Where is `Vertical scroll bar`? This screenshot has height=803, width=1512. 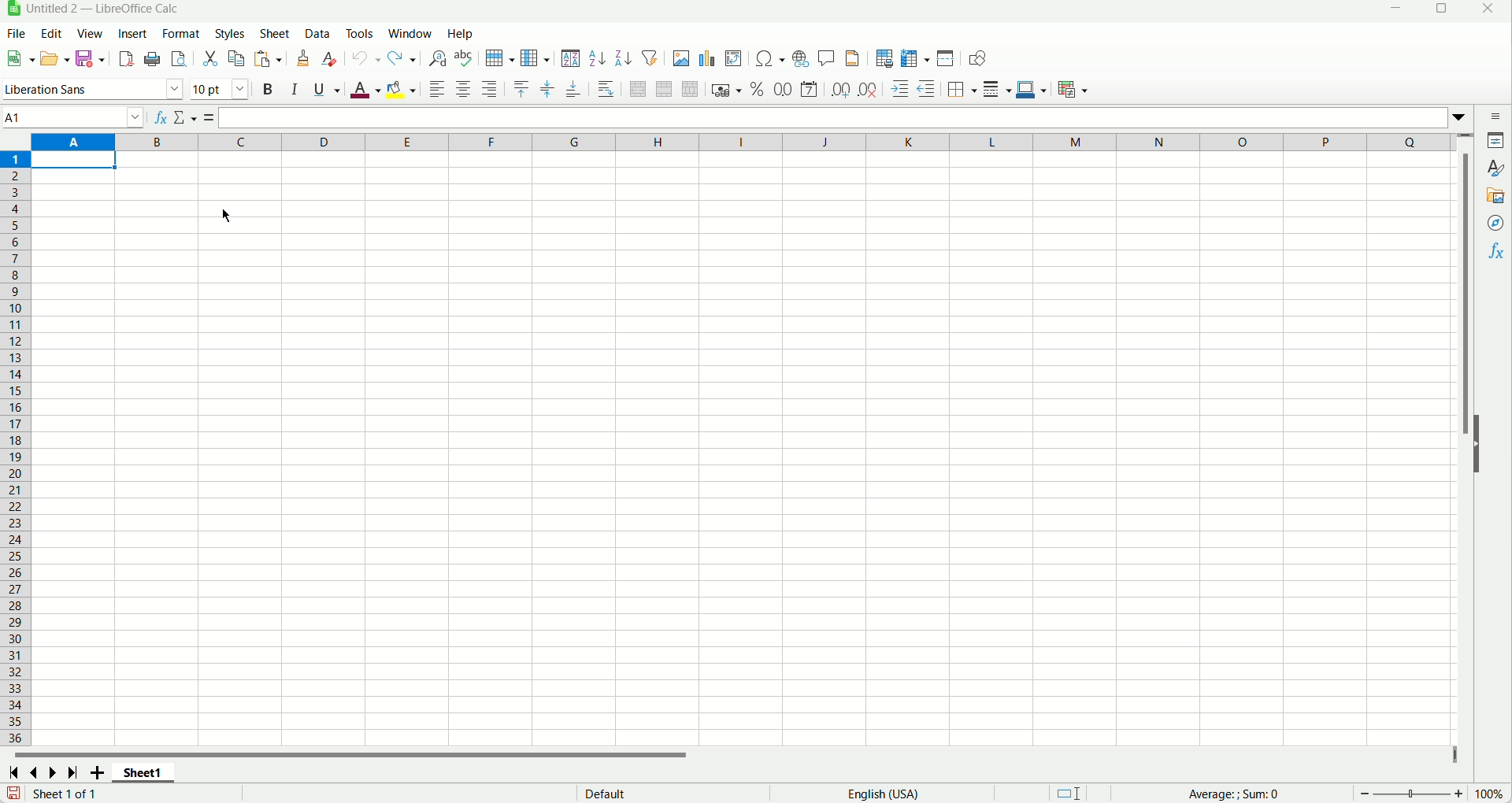 Vertical scroll bar is located at coordinates (1467, 442).